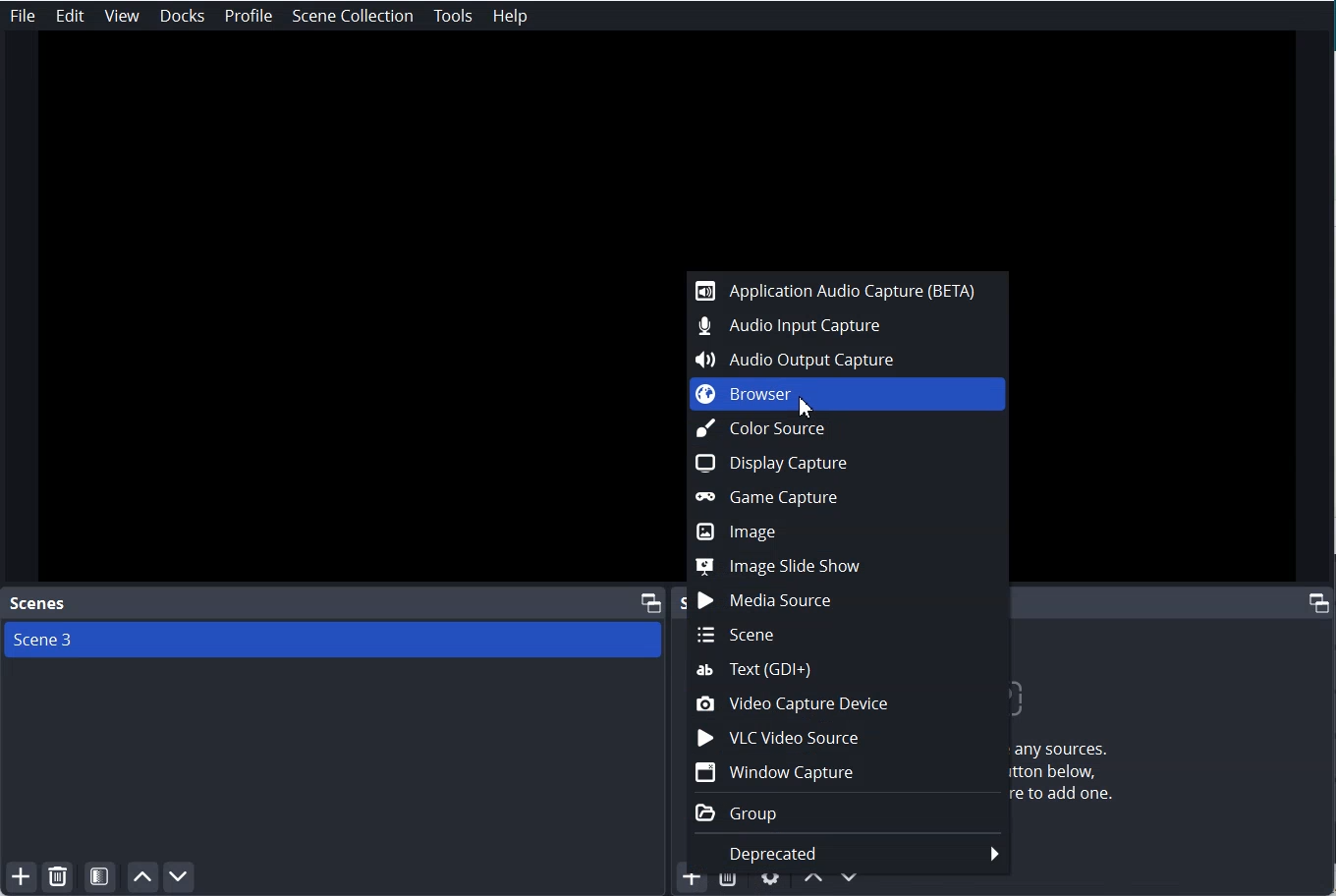 The height and width of the screenshot is (896, 1336). Describe the element at coordinates (849, 772) in the screenshot. I see `Window Capture` at that location.